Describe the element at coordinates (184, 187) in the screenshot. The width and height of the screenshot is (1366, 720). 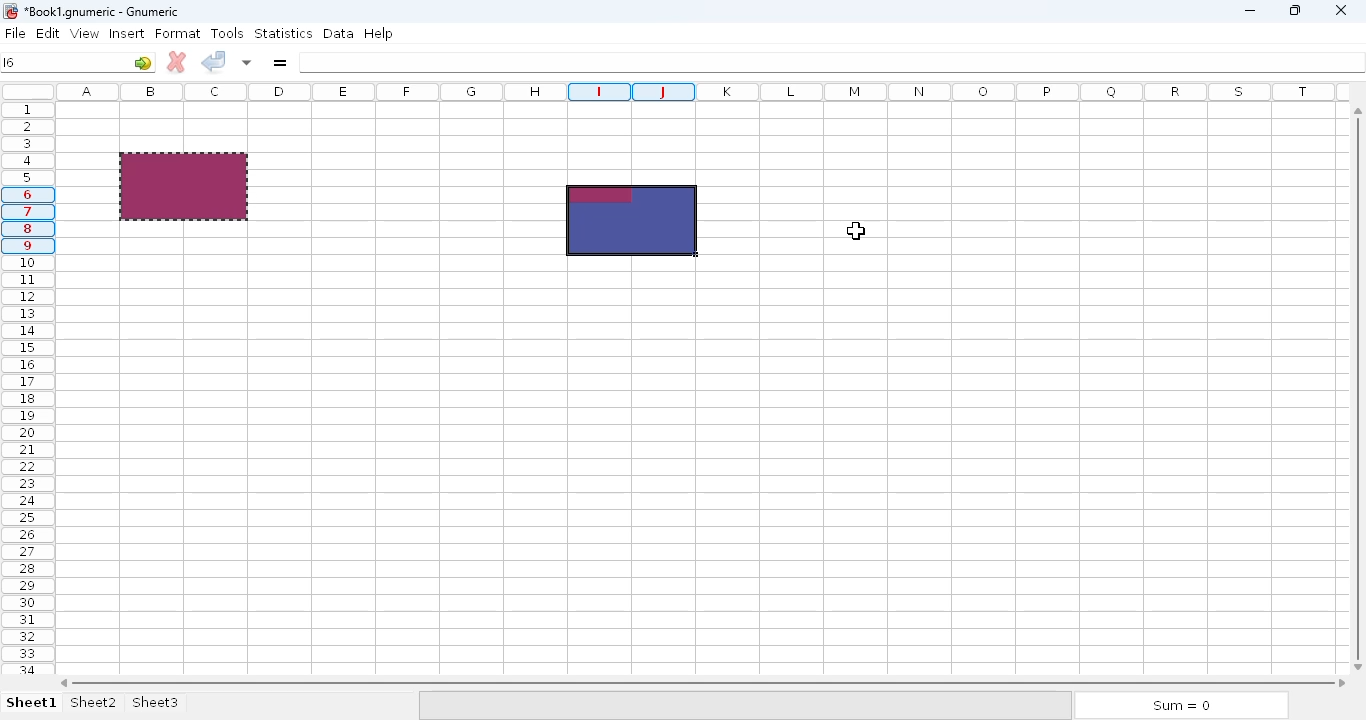
I see `selected range copied` at that location.